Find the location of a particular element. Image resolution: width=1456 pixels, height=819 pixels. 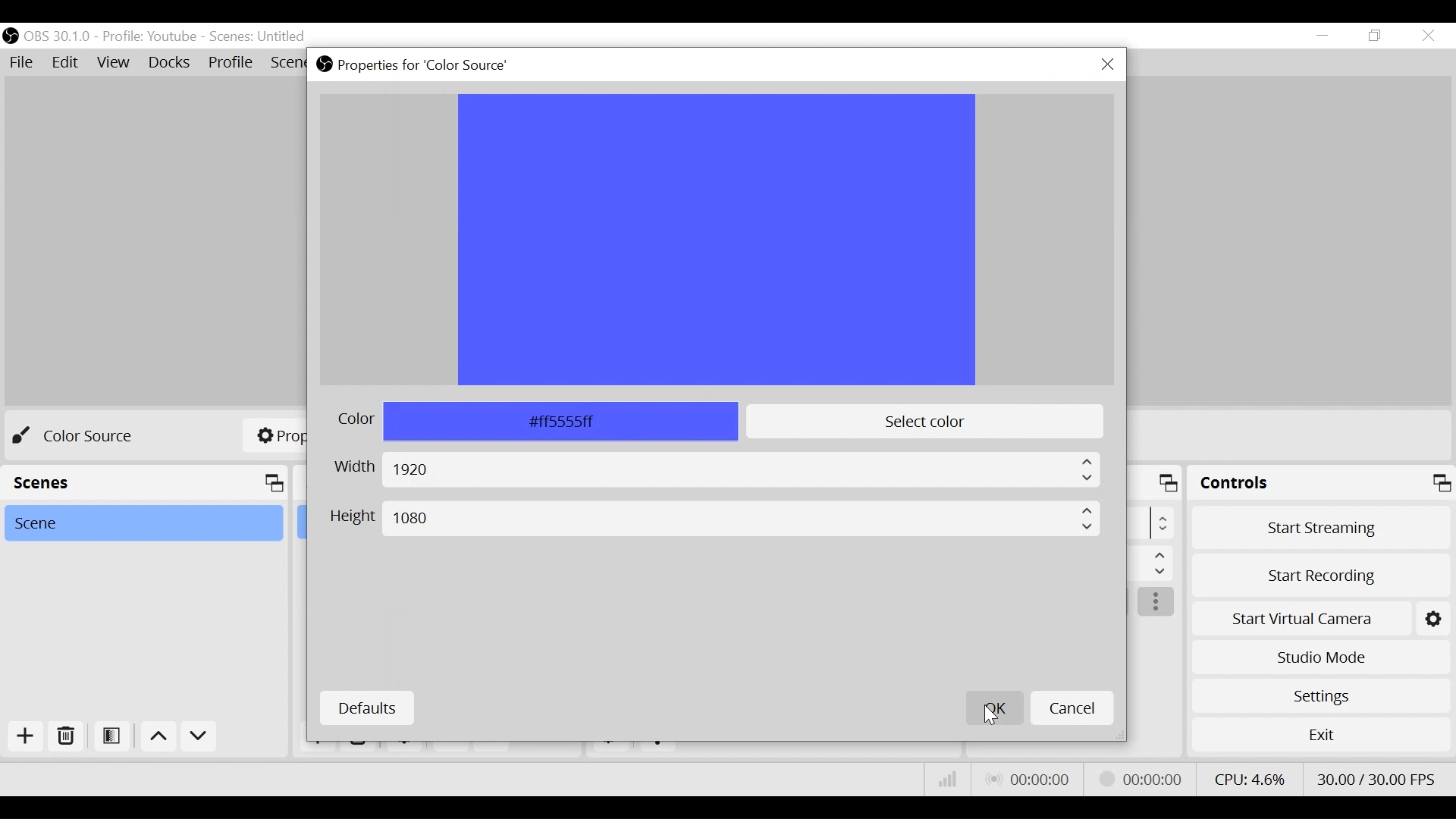

HTML is located at coordinates (533, 421).